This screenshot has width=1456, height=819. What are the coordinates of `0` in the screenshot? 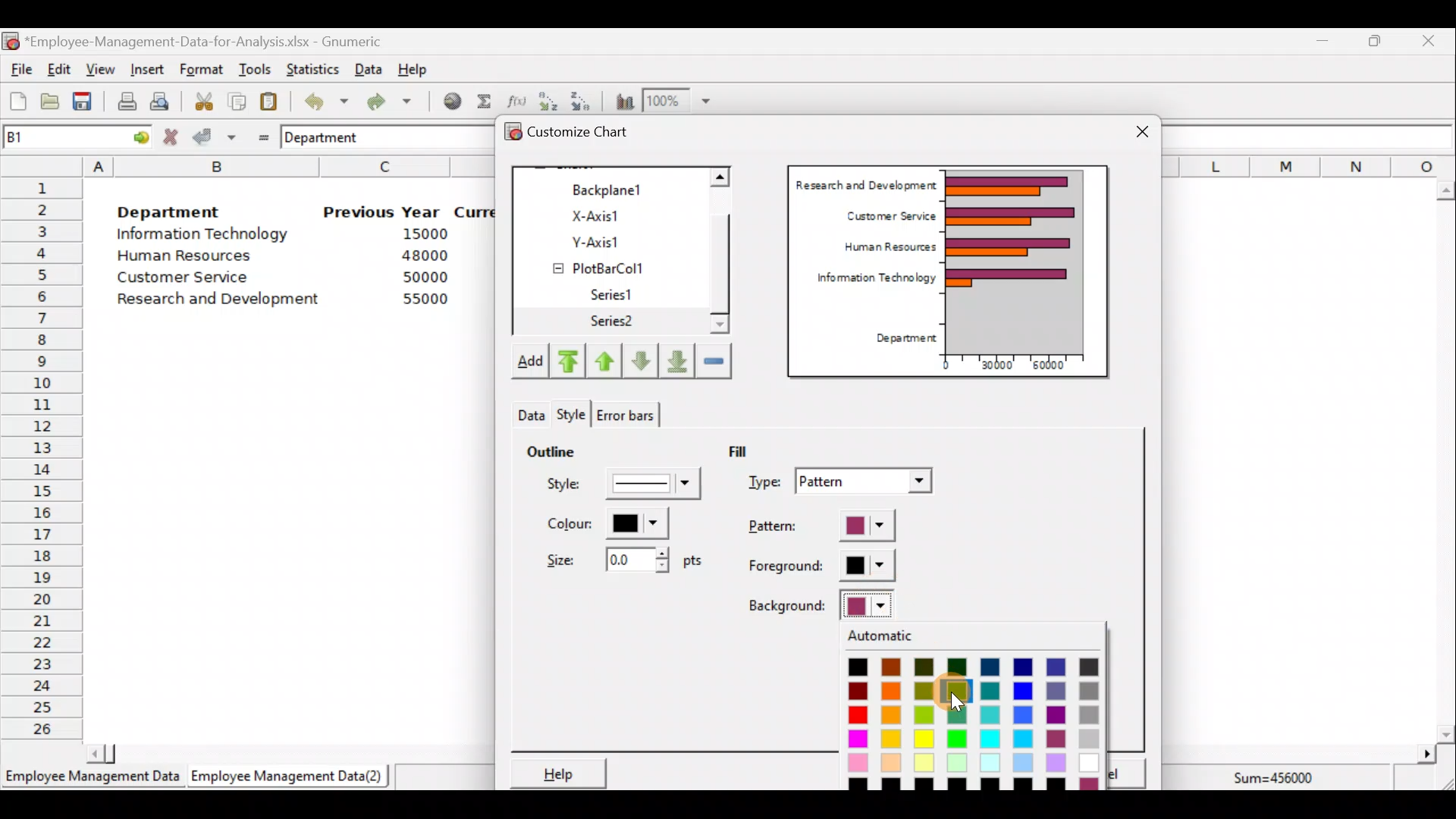 It's located at (946, 365).